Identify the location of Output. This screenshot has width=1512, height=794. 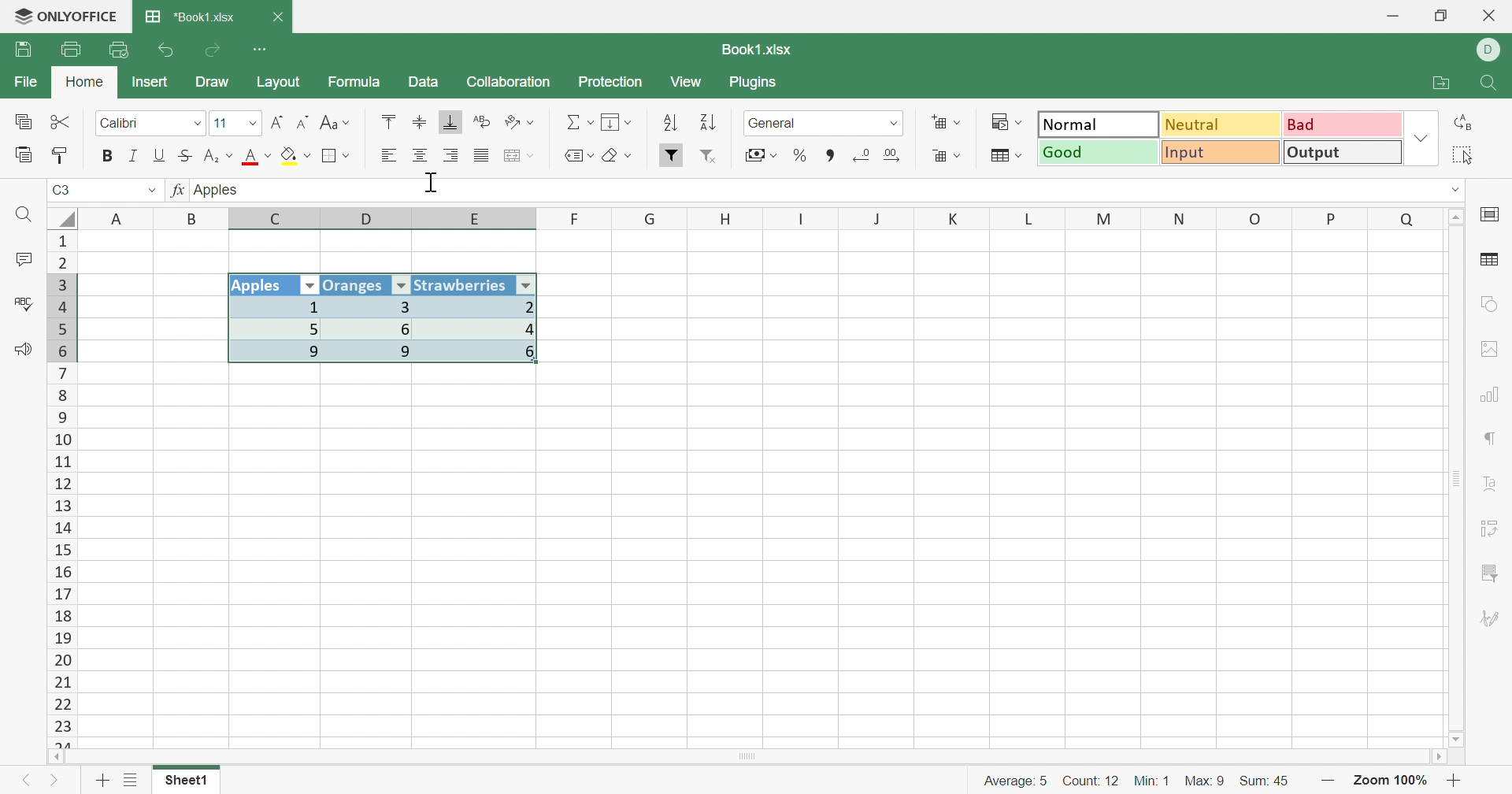
(1343, 154).